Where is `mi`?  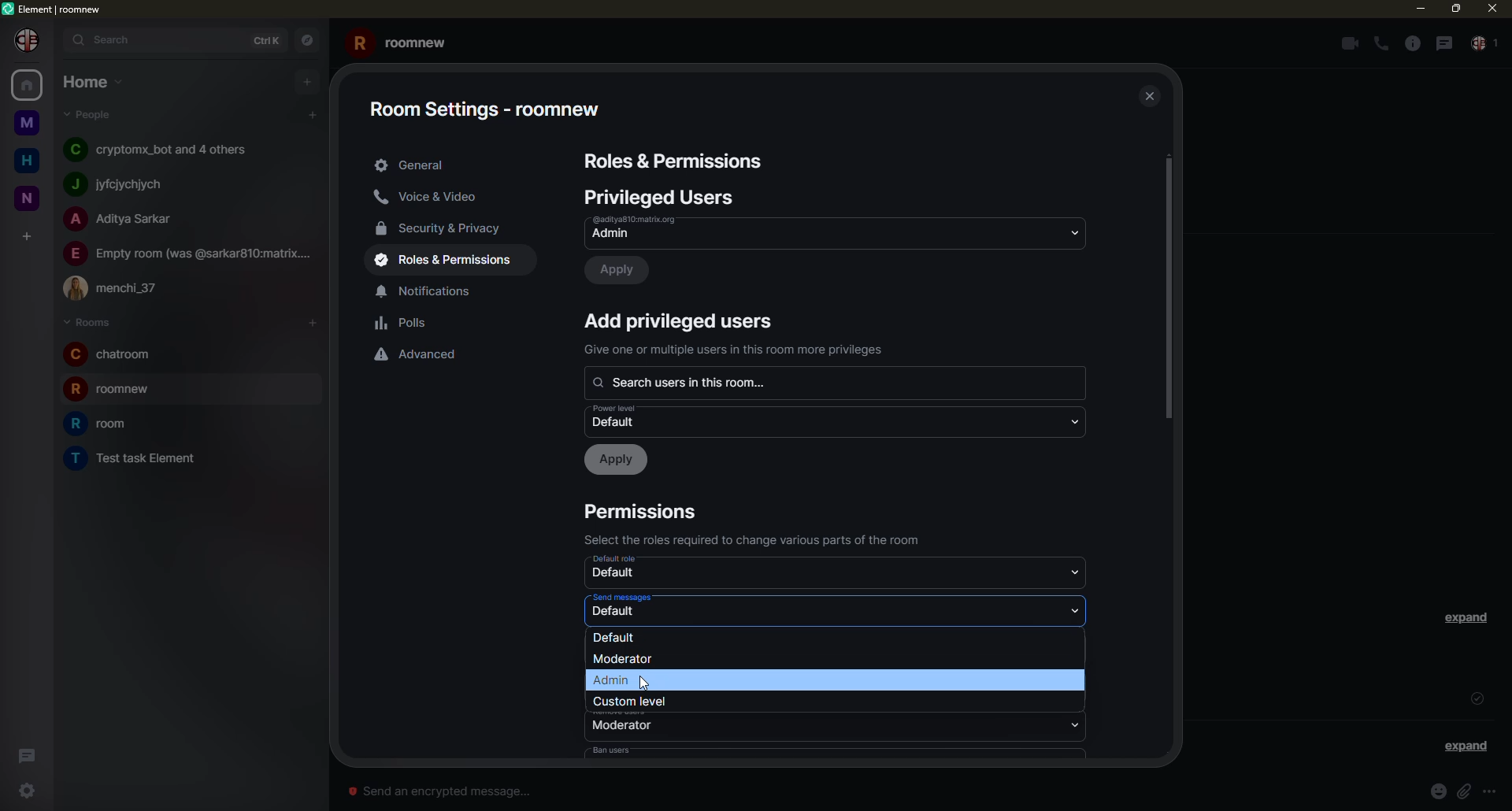
mi is located at coordinates (1420, 9).